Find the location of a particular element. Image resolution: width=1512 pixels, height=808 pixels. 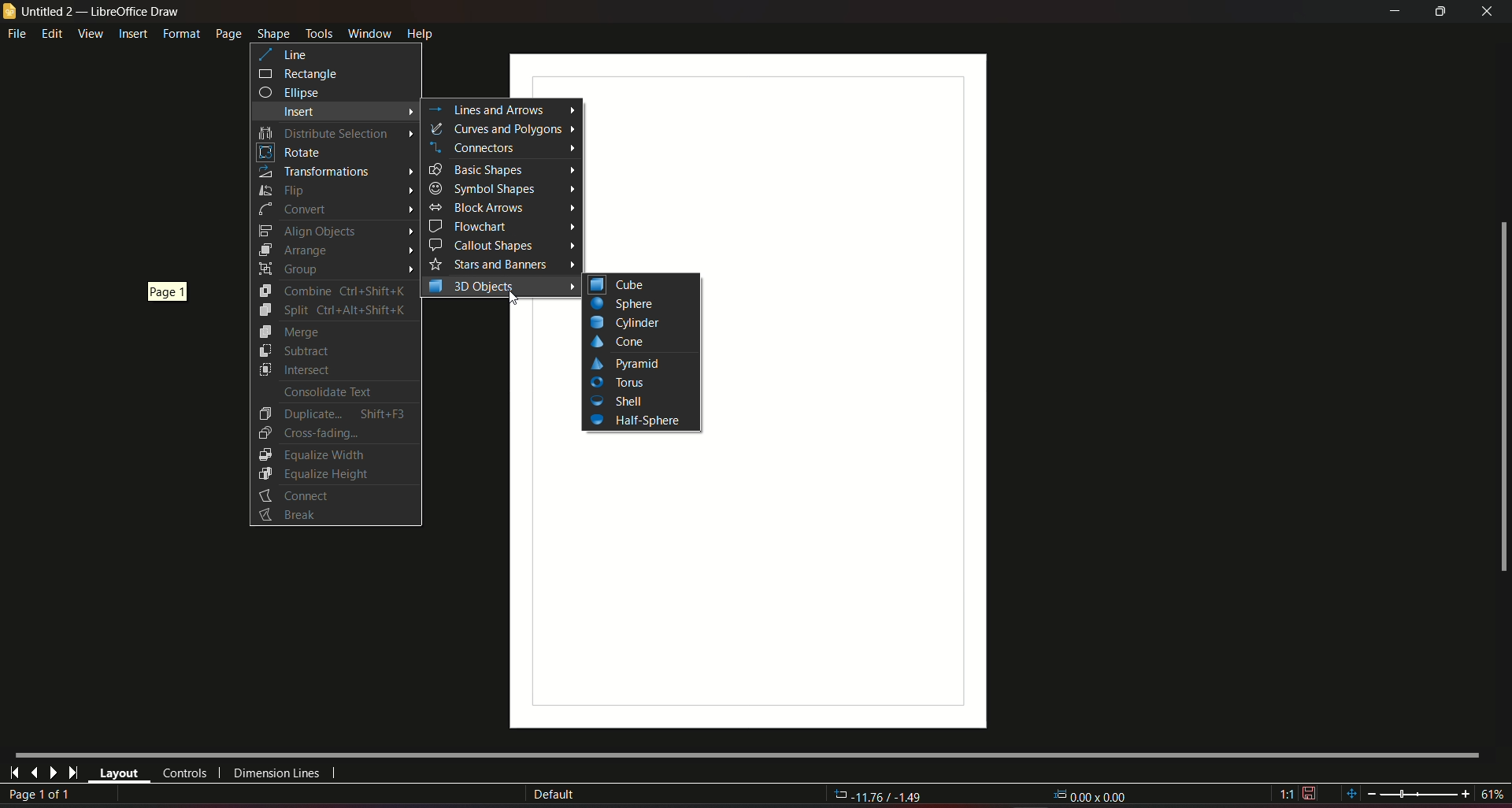

window is located at coordinates (368, 31).